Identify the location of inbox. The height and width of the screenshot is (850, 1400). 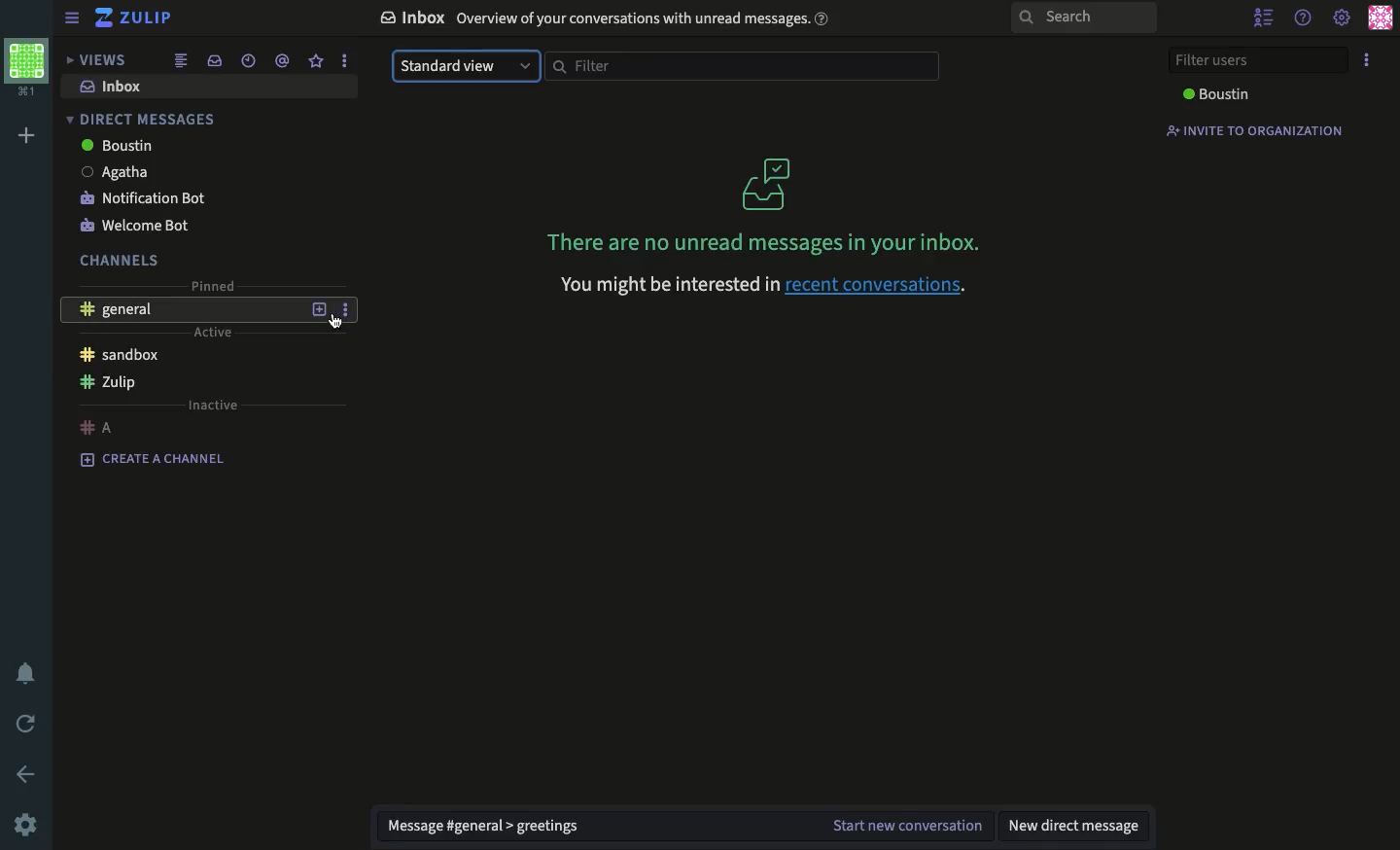
(214, 60).